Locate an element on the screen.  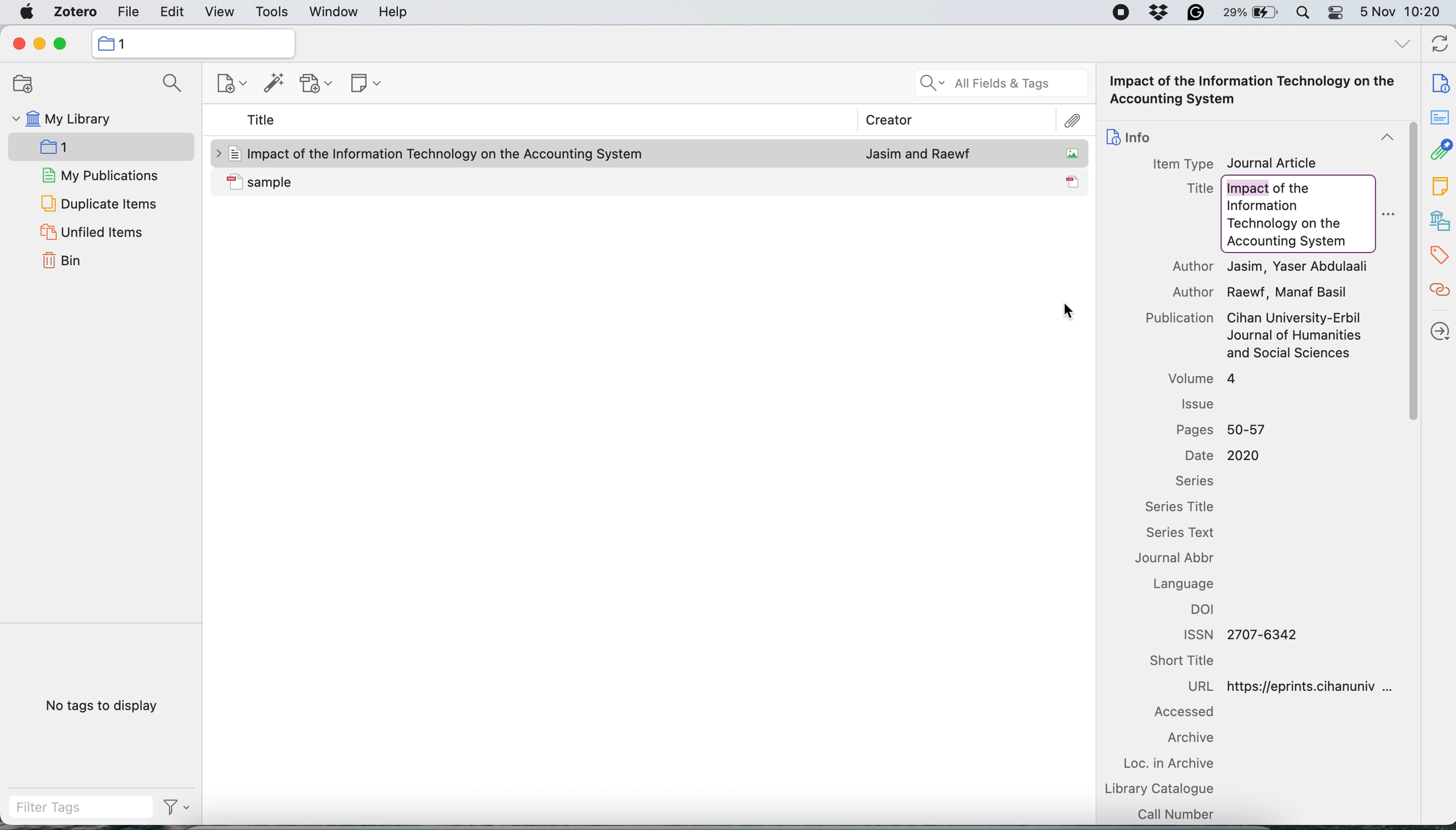
refresh is located at coordinates (1439, 46).